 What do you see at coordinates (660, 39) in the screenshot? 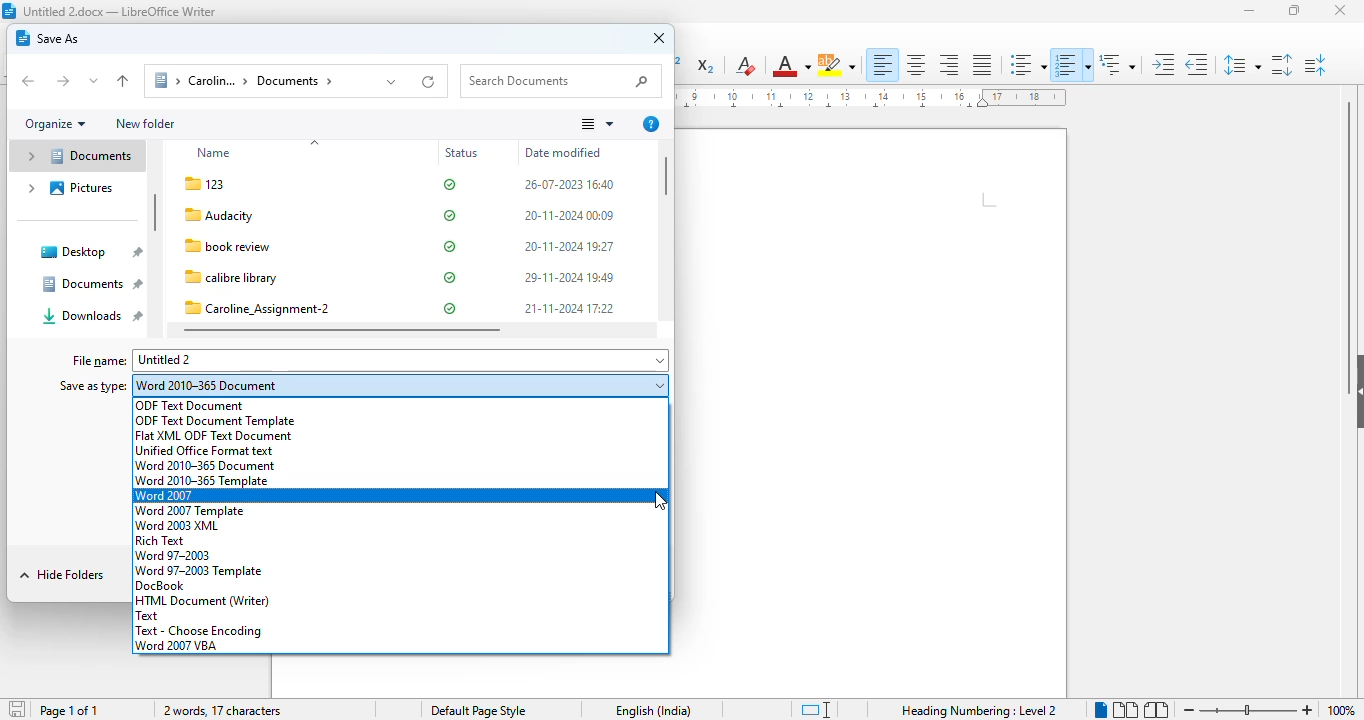
I see `close` at bounding box center [660, 39].